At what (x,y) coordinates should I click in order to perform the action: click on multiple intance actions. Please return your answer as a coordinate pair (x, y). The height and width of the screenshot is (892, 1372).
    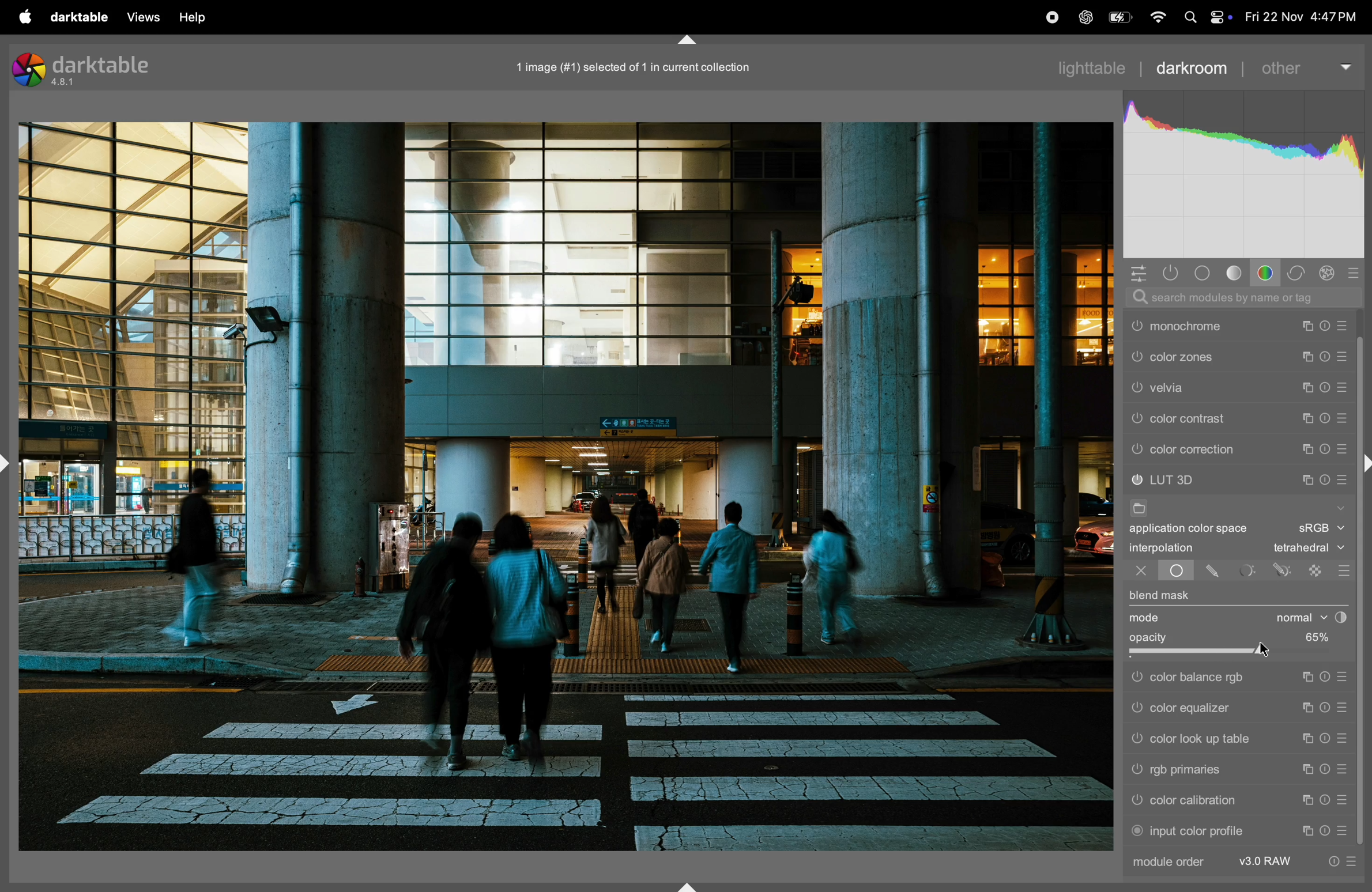
    Looking at the image, I should click on (1304, 475).